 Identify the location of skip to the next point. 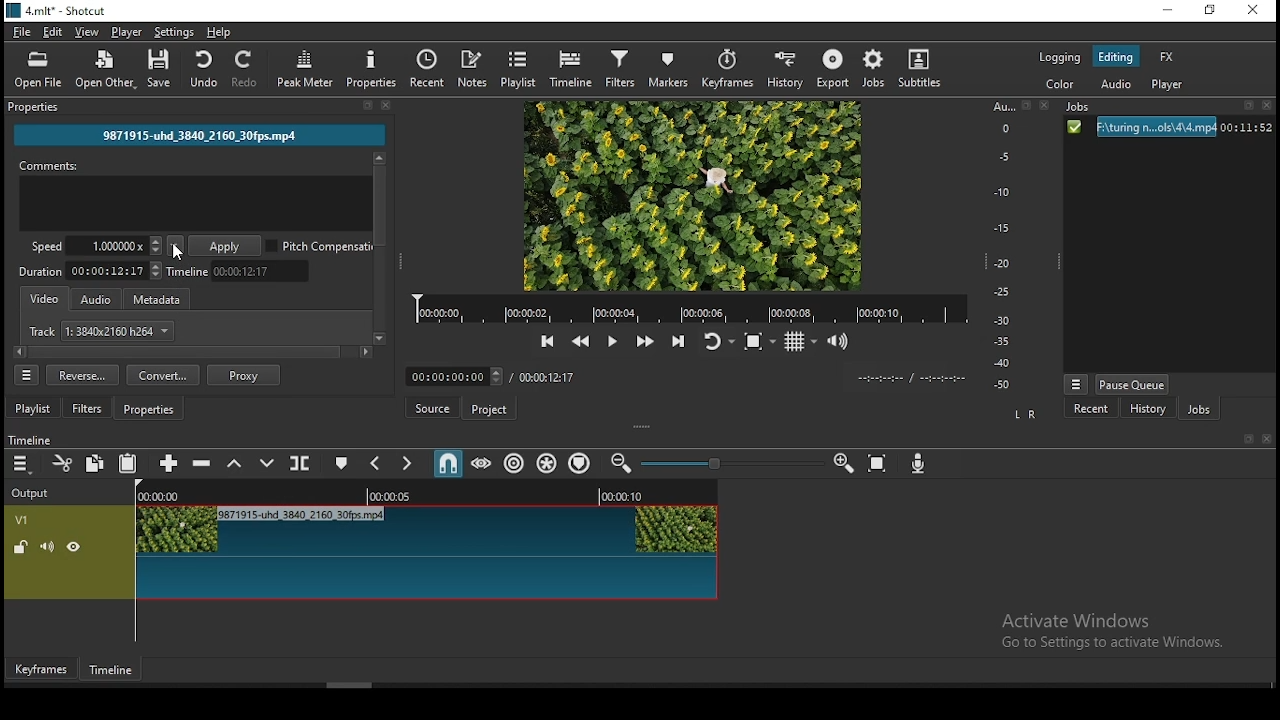
(678, 343).